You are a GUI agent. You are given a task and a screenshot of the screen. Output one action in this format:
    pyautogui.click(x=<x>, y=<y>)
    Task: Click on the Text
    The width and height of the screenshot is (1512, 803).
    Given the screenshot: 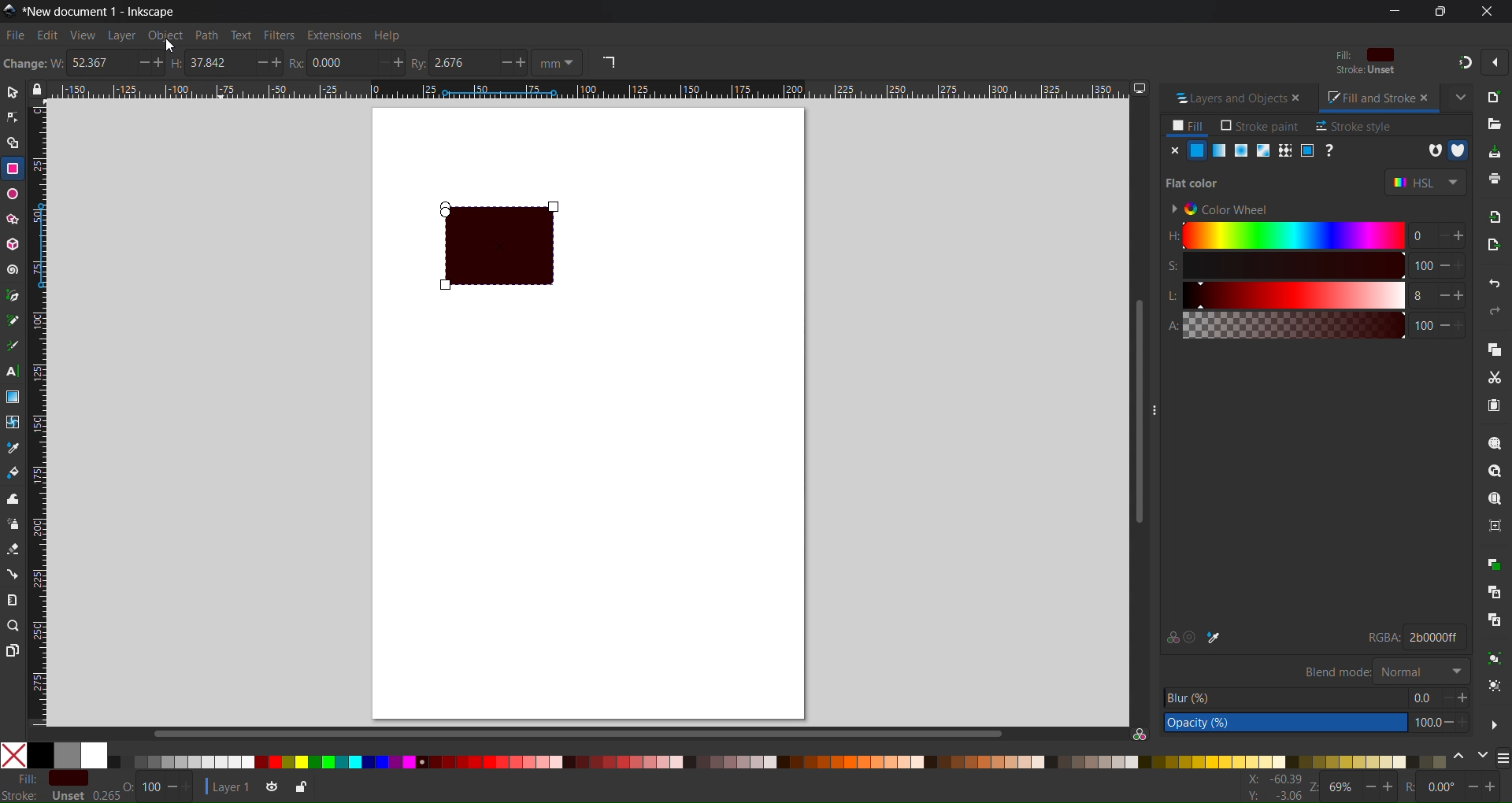 What is the action you would take?
    pyautogui.click(x=242, y=35)
    